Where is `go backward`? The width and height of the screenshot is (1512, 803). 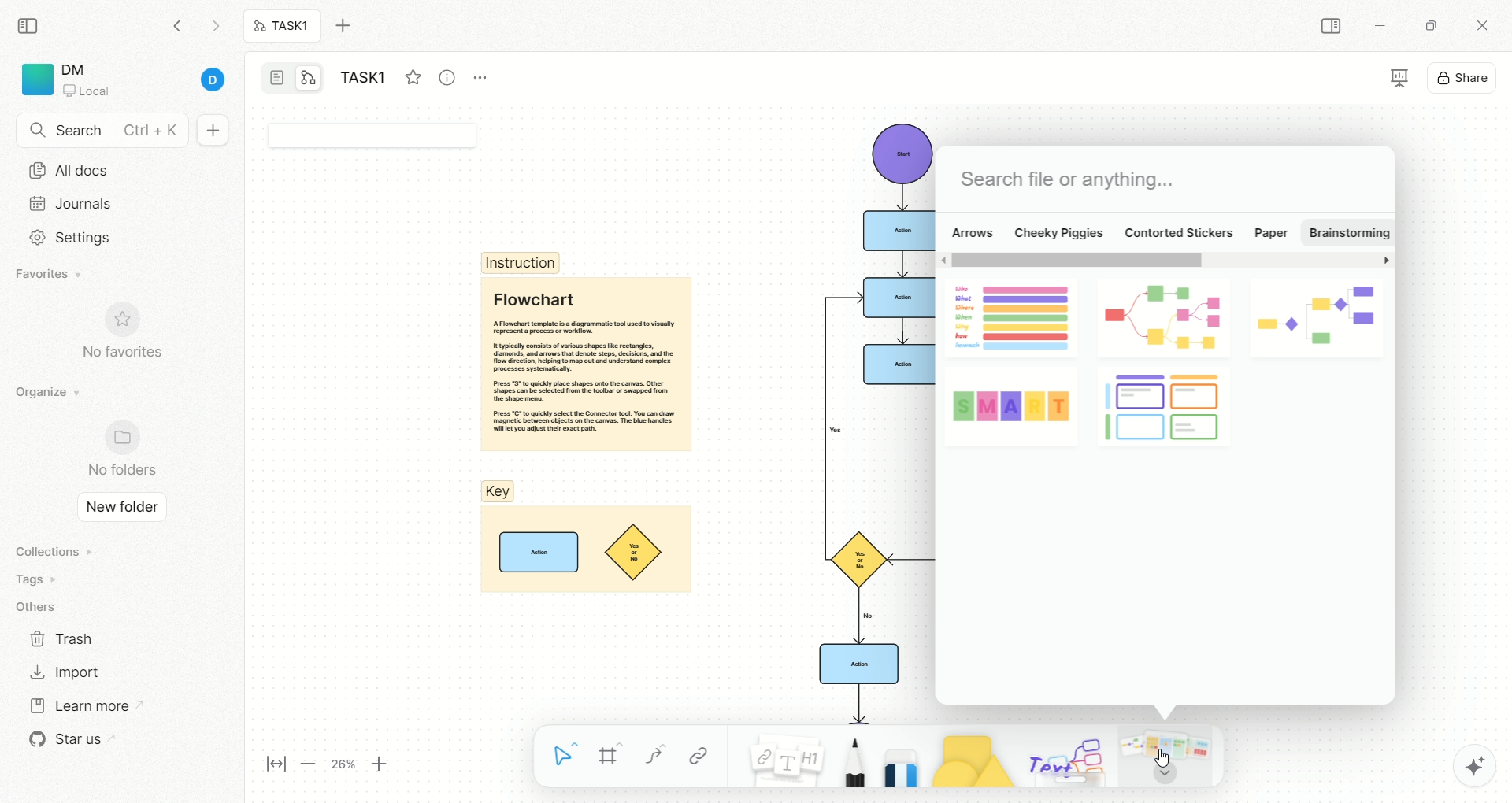 go backward is located at coordinates (177, 25).